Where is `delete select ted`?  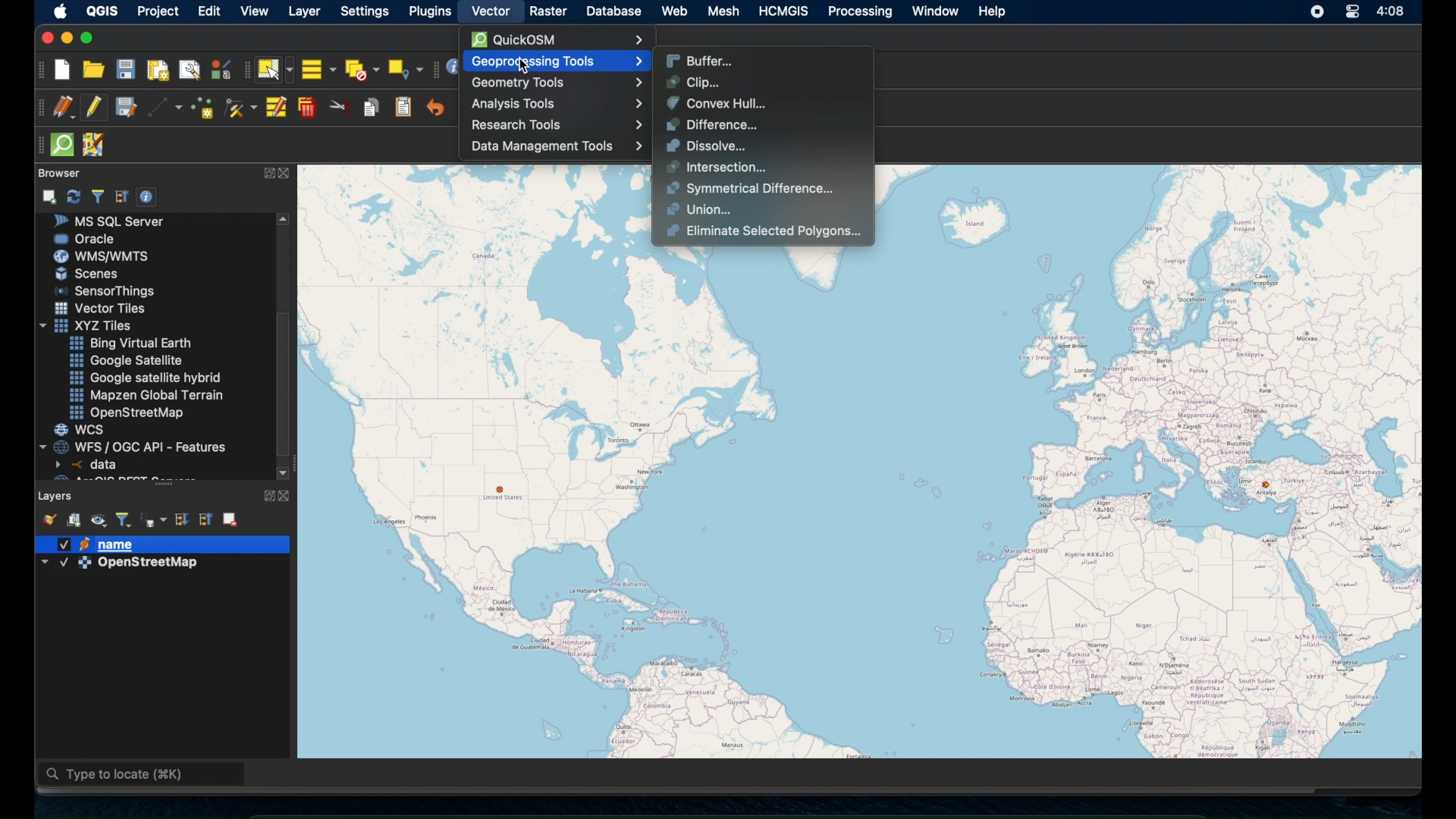 delete select ted is located at coordinates (307, 108).